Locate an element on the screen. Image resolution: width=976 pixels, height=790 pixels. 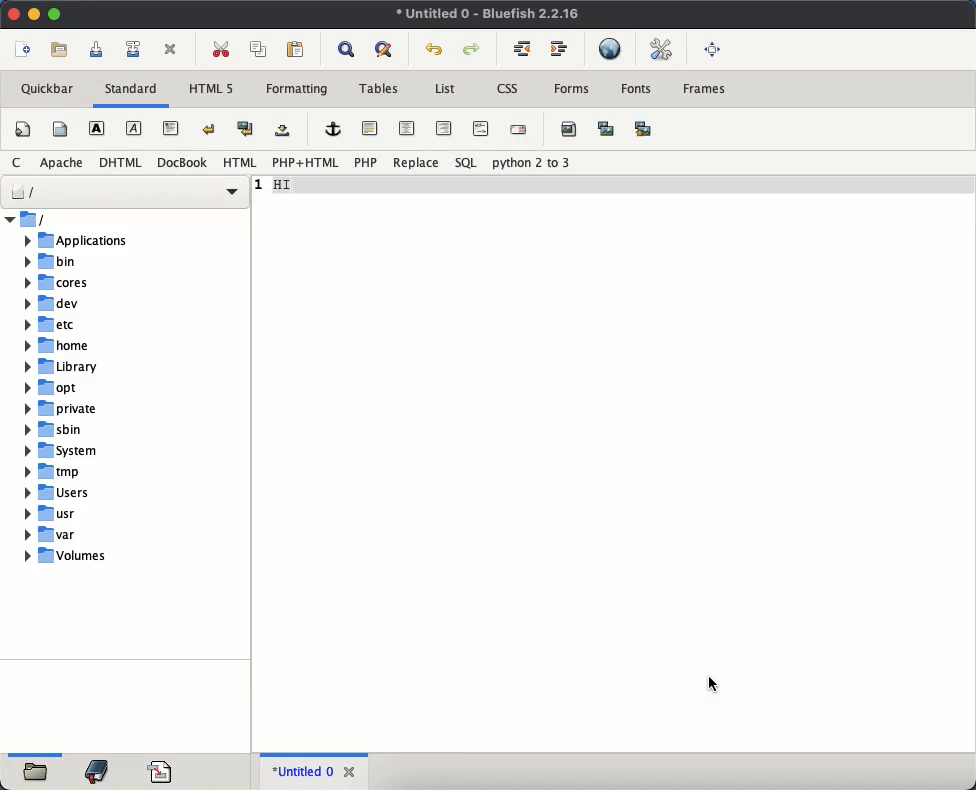
home is located at coordinates (100, 345).